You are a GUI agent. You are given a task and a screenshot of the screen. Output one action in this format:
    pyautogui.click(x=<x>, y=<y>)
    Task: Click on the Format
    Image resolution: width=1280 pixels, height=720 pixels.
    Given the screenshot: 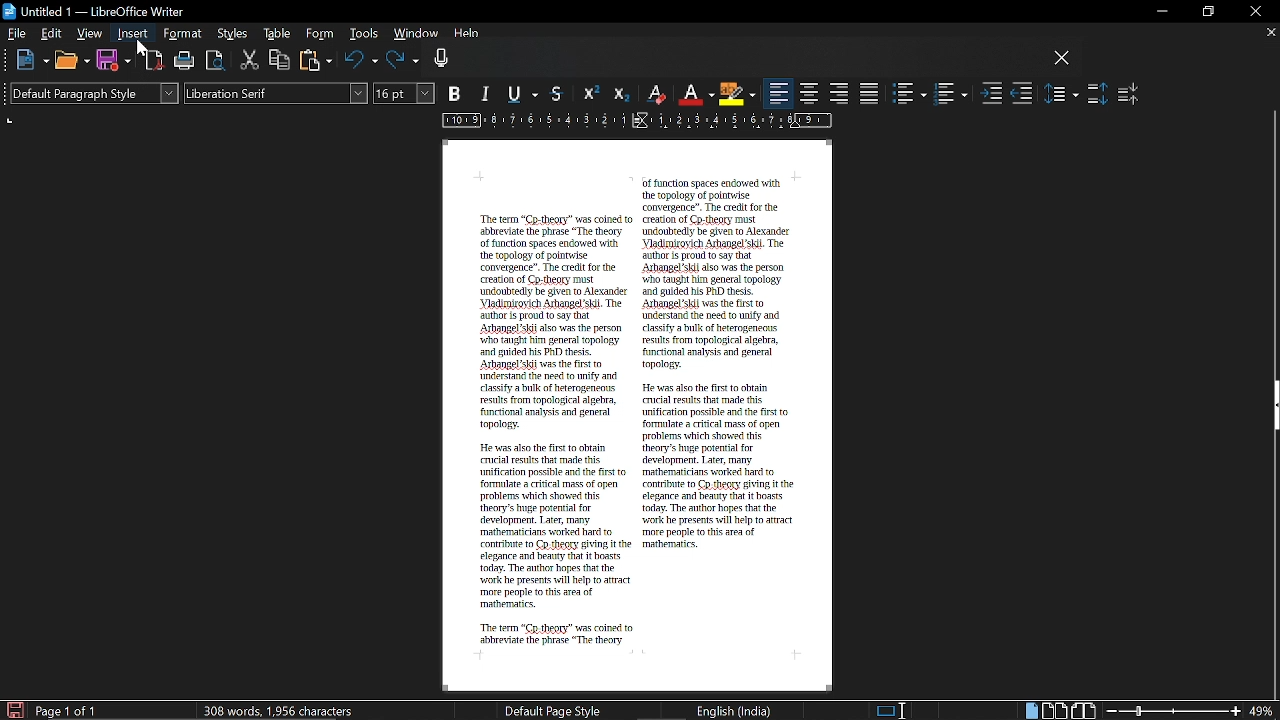 What is the action you would take?
    pyautogui.click(x=182, y=34)
    